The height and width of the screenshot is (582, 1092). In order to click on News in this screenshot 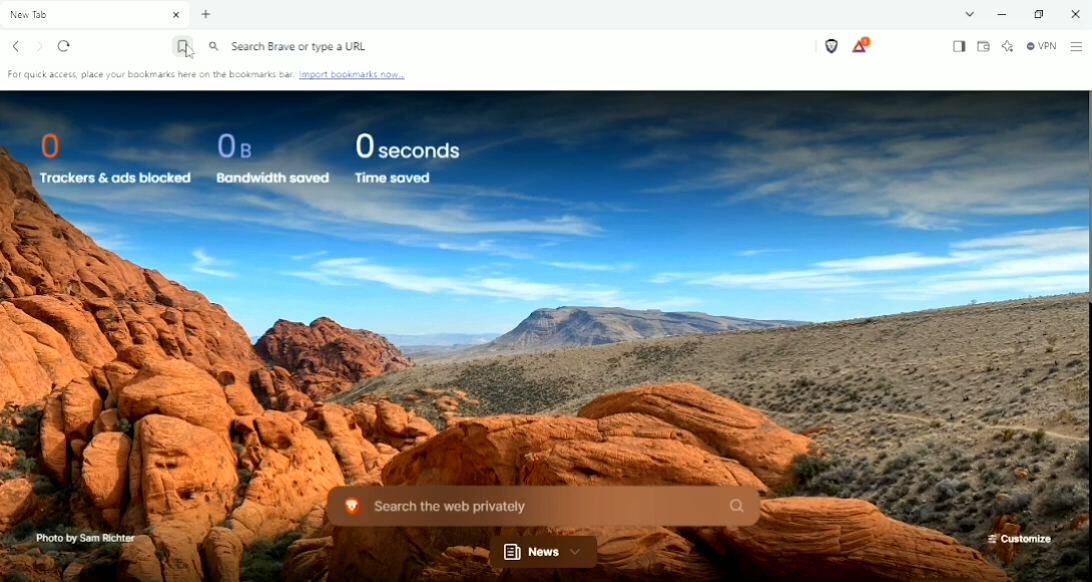, I will do `click(545, 552)`.